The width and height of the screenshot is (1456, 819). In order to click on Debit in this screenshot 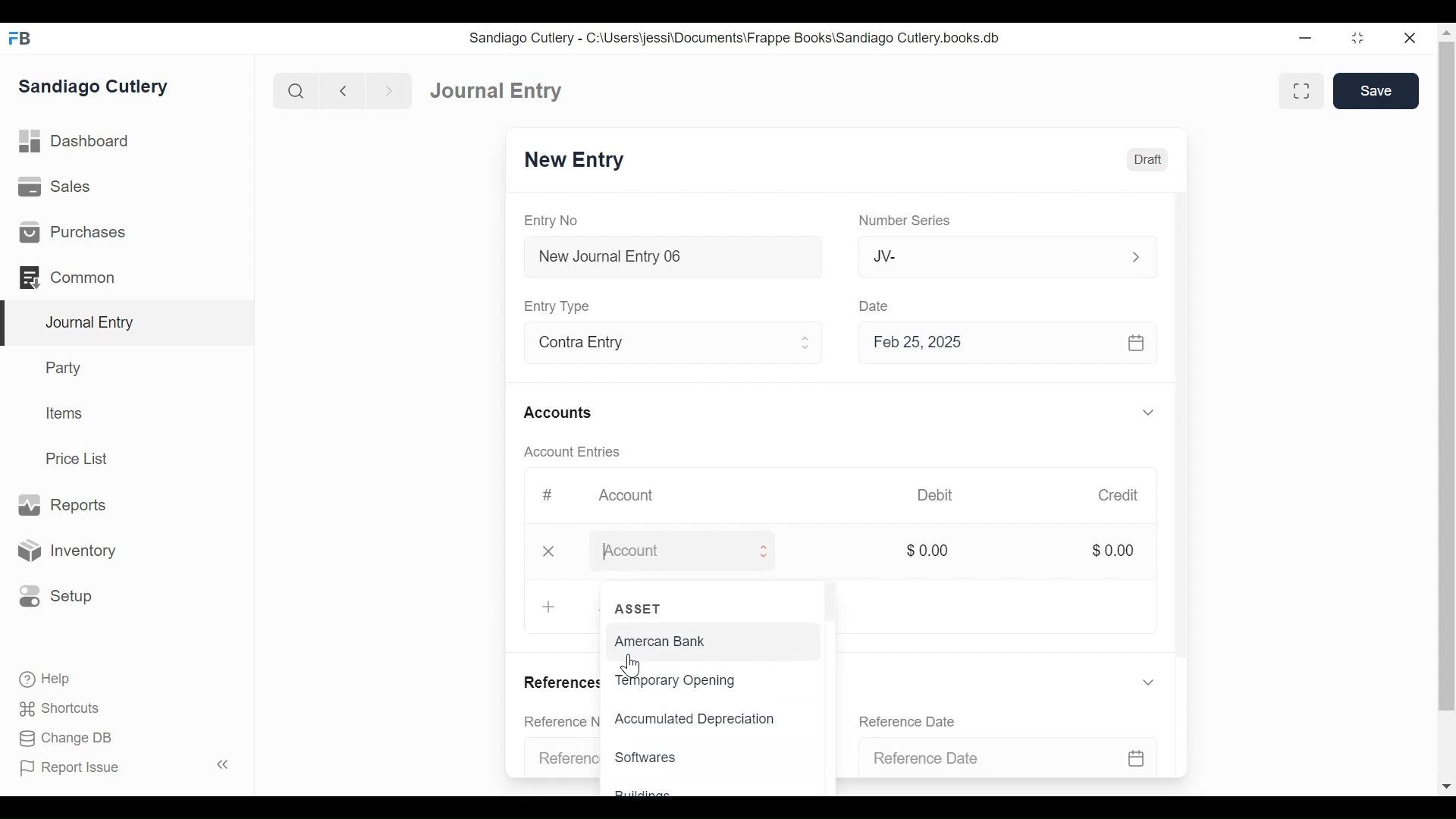, I will do `click(936, 495)`.